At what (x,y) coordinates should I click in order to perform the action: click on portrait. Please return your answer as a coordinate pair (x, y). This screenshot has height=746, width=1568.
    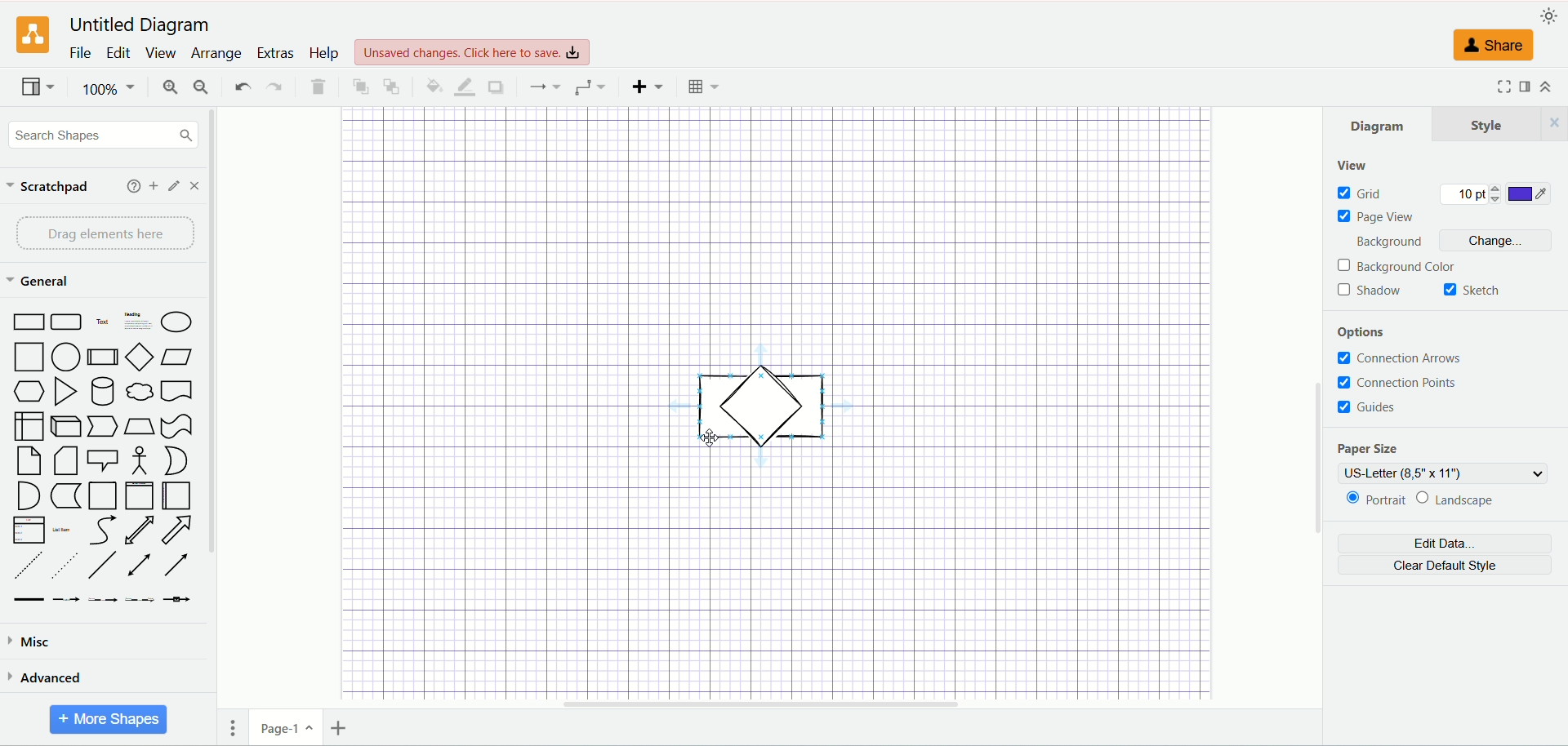
    Looking at the image, I should click on (1373, 500).